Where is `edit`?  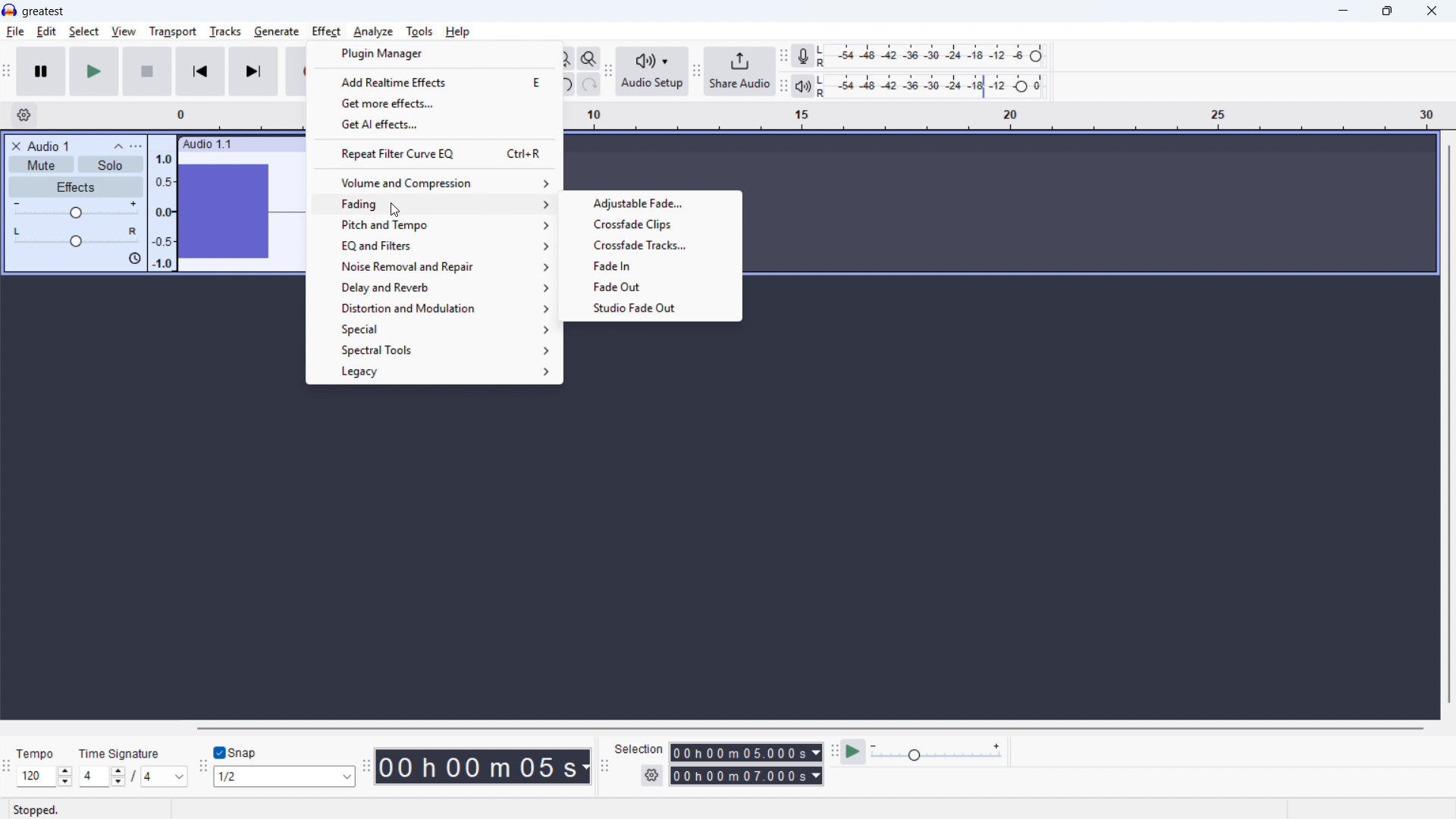
edit is located at coordinates (46, 32).